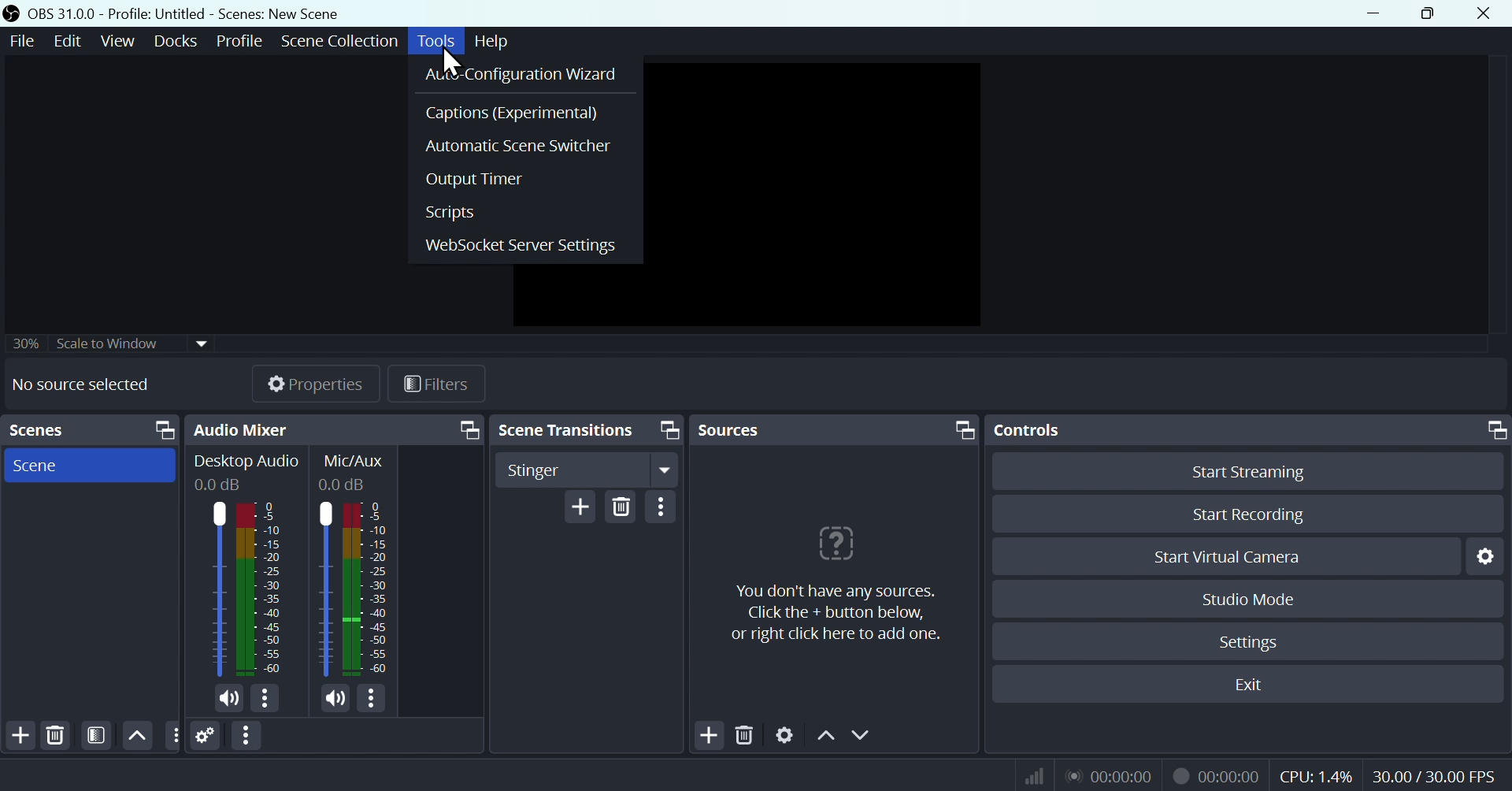  Describe the element at coordinates (467, 429) in the screenshot. I see `screen resize` at that location.